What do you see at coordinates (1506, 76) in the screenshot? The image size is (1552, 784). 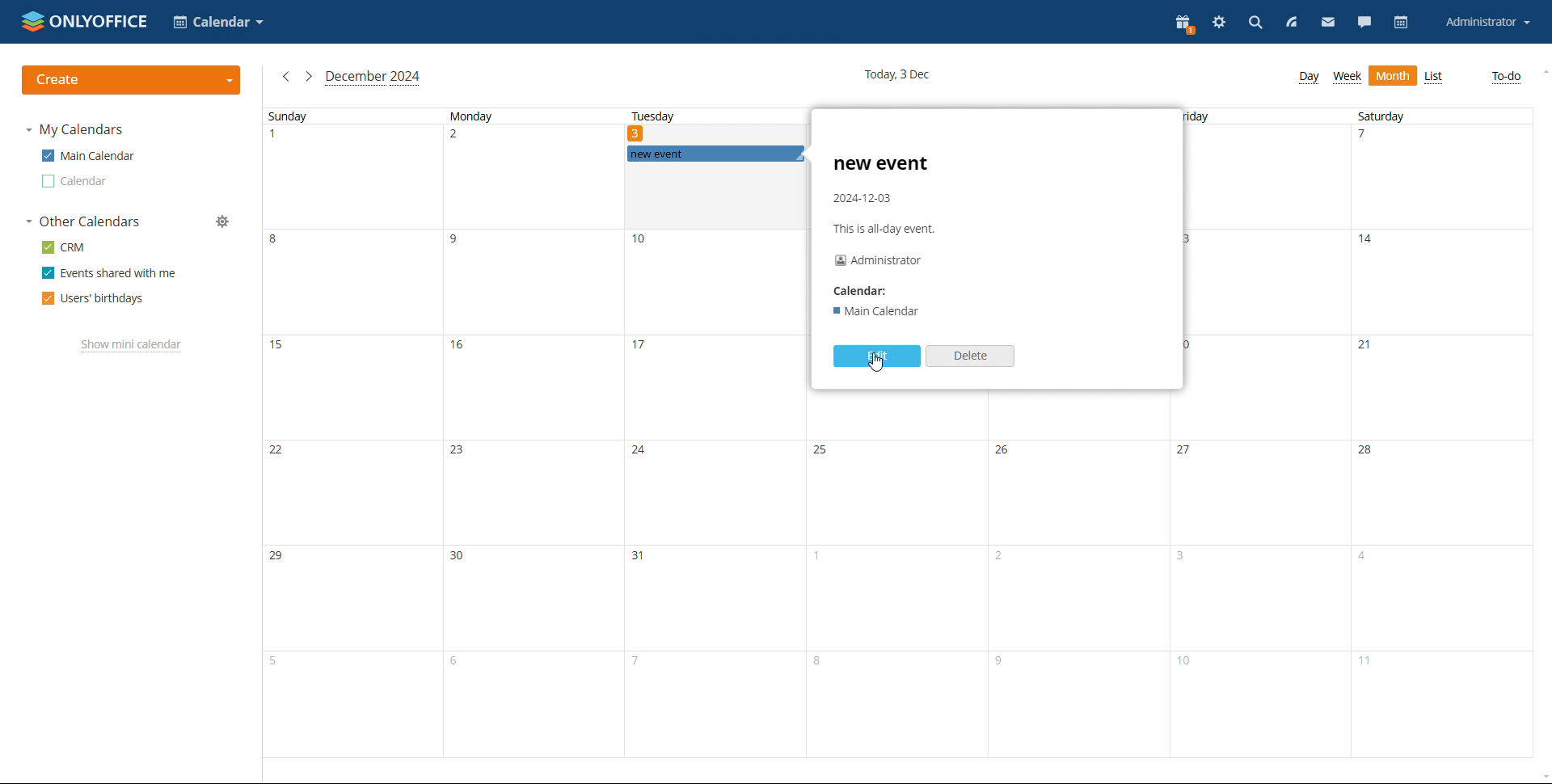 I see `to-do` at bounding box center [1506, 76].